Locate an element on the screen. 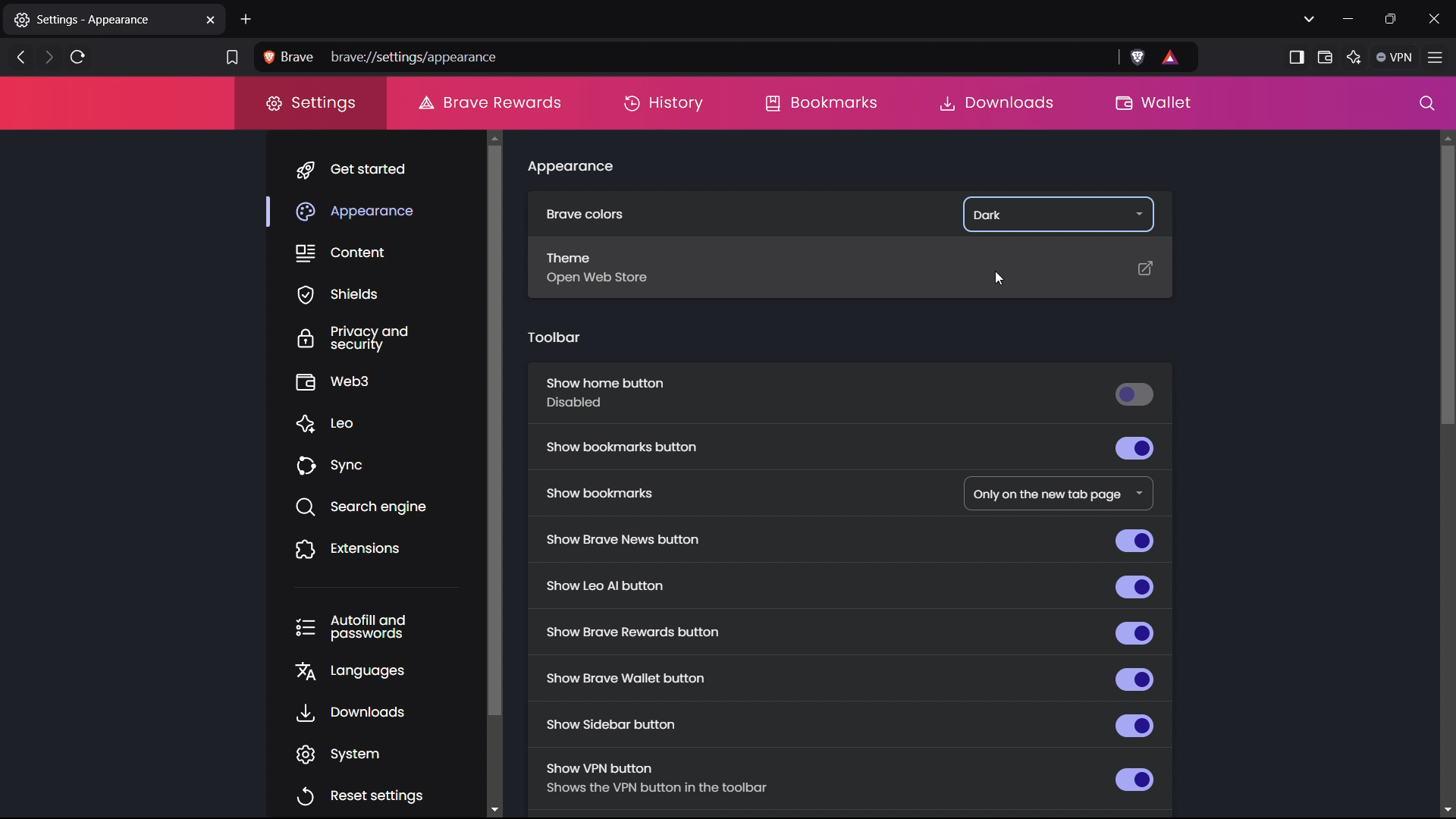 The height and width of the screenshot is (819, 1456). show sidebar is located at coordinates (1296, 56).